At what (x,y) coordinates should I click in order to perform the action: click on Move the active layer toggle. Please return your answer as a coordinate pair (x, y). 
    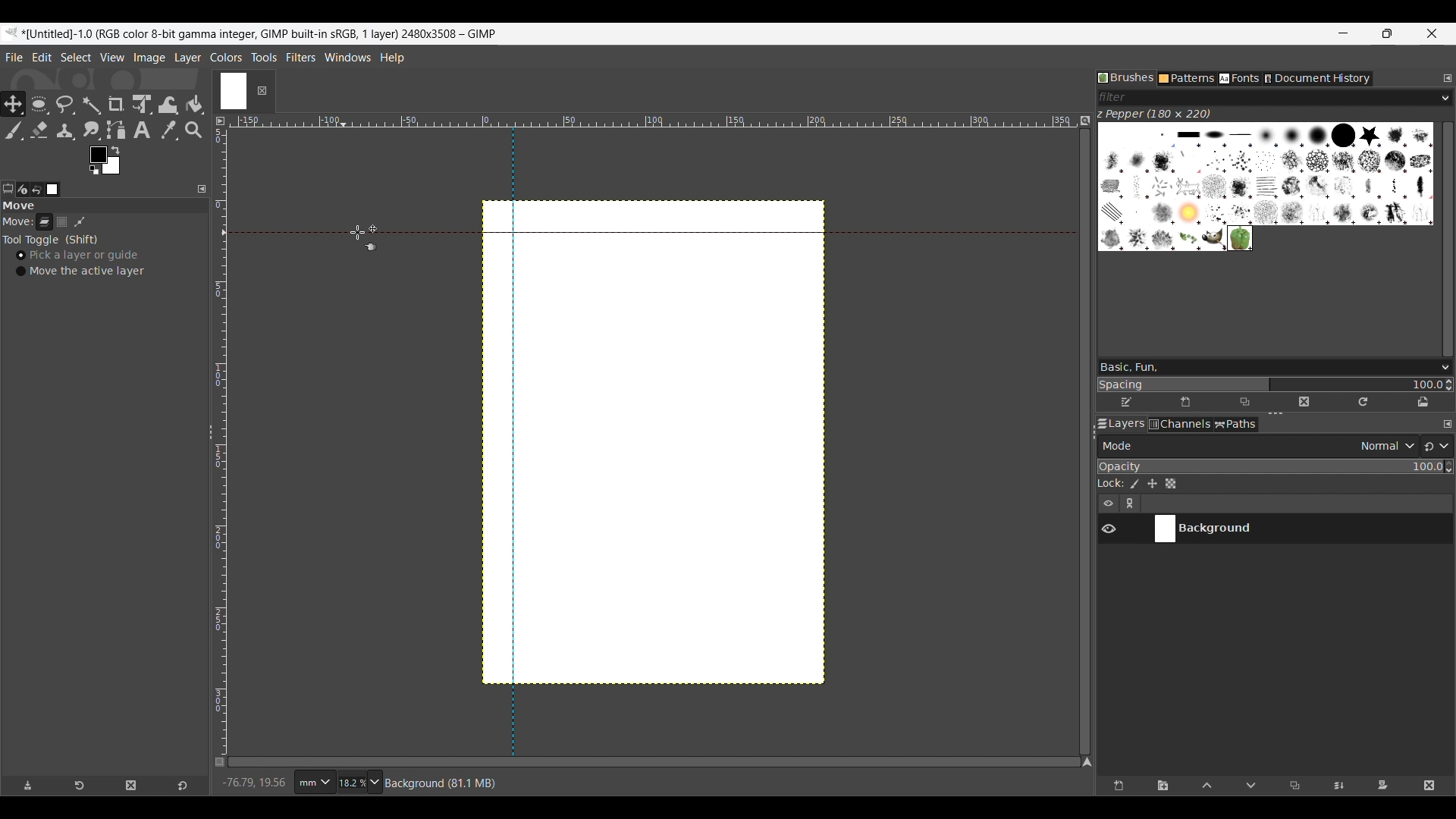
    Looking at the image, I should click on (80, 271).